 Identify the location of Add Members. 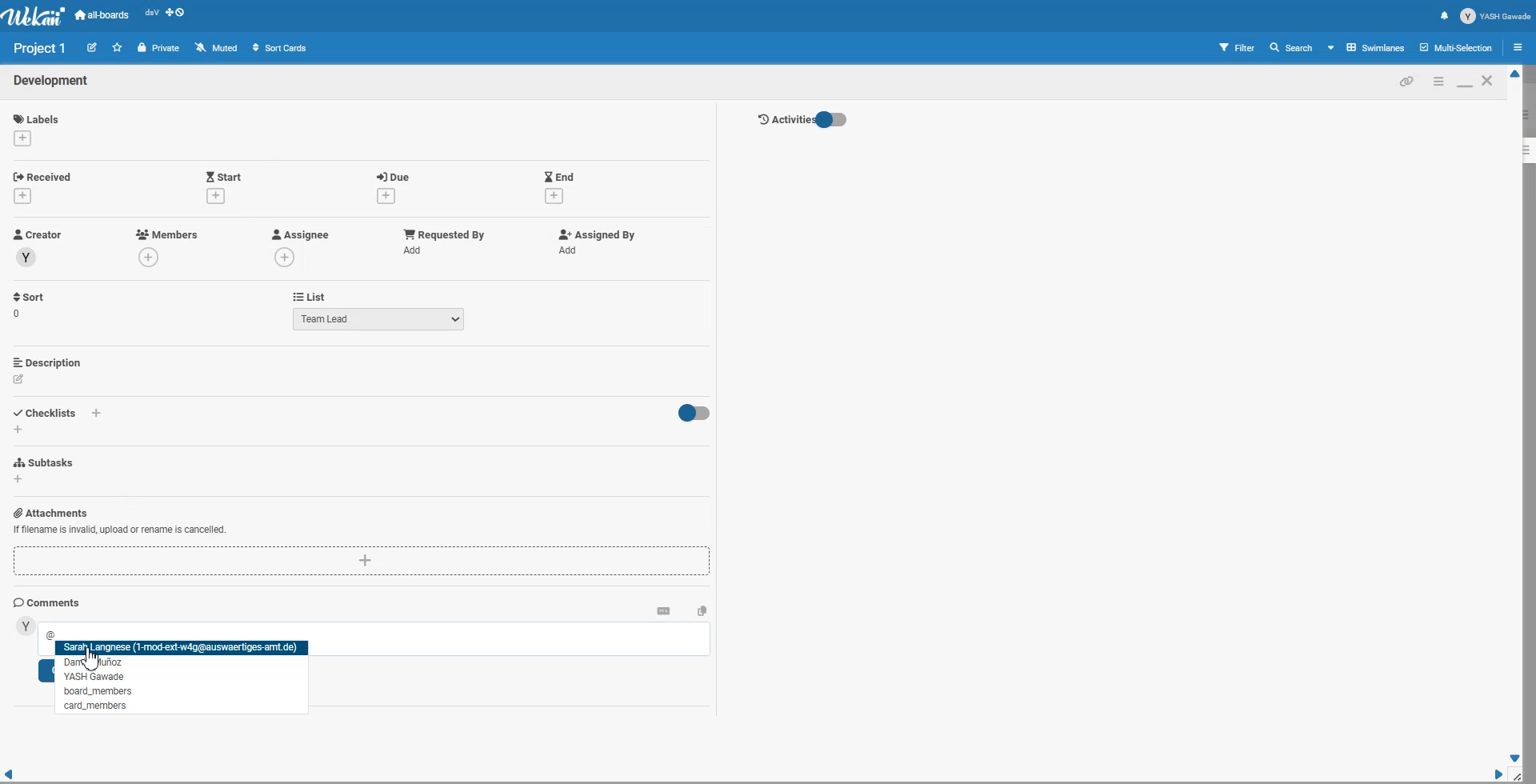
(168, 234).